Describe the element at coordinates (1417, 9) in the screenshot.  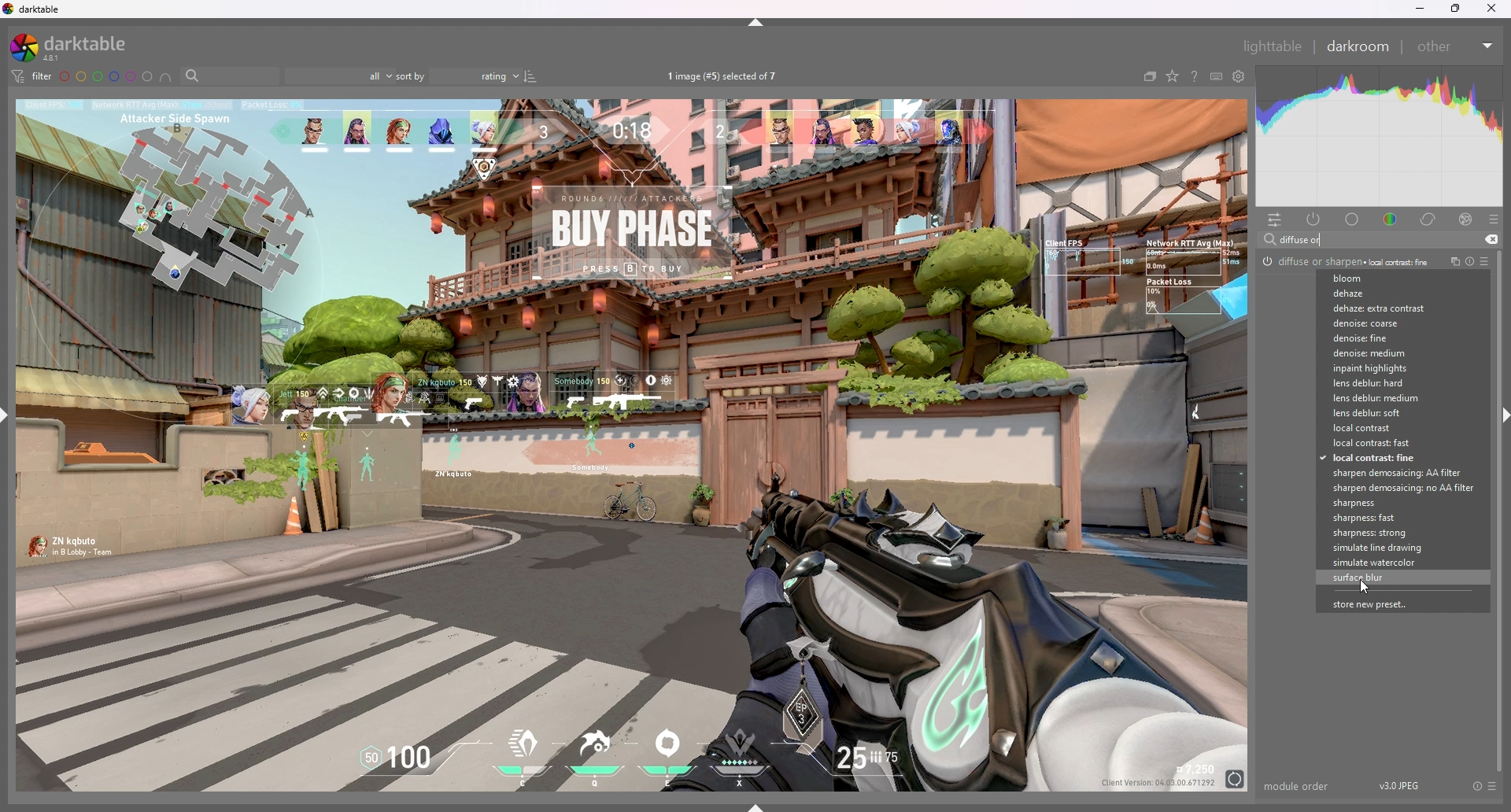
I see `minimize` at that location.